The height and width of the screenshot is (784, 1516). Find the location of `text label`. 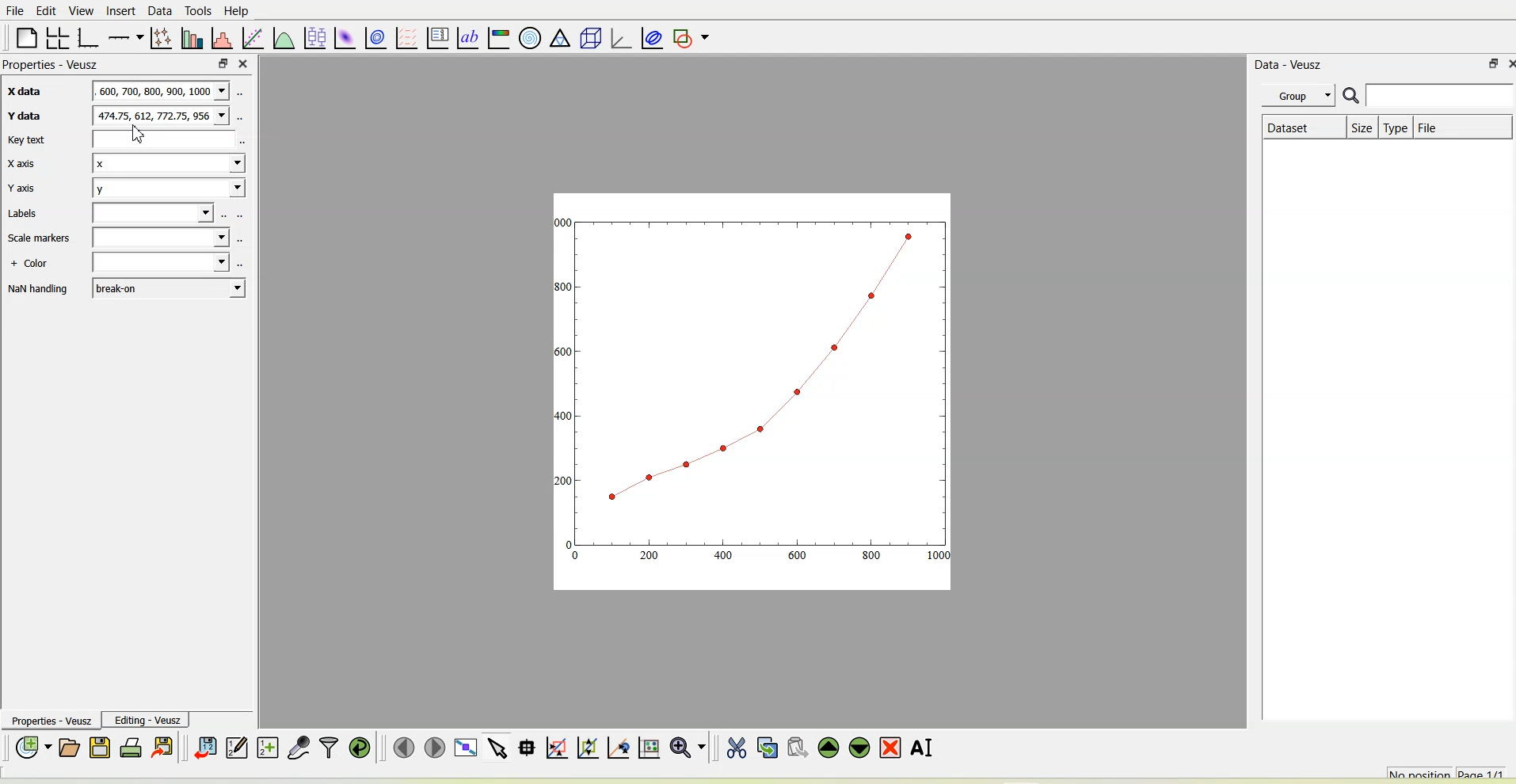

text label is located at coordinates (467, 37).